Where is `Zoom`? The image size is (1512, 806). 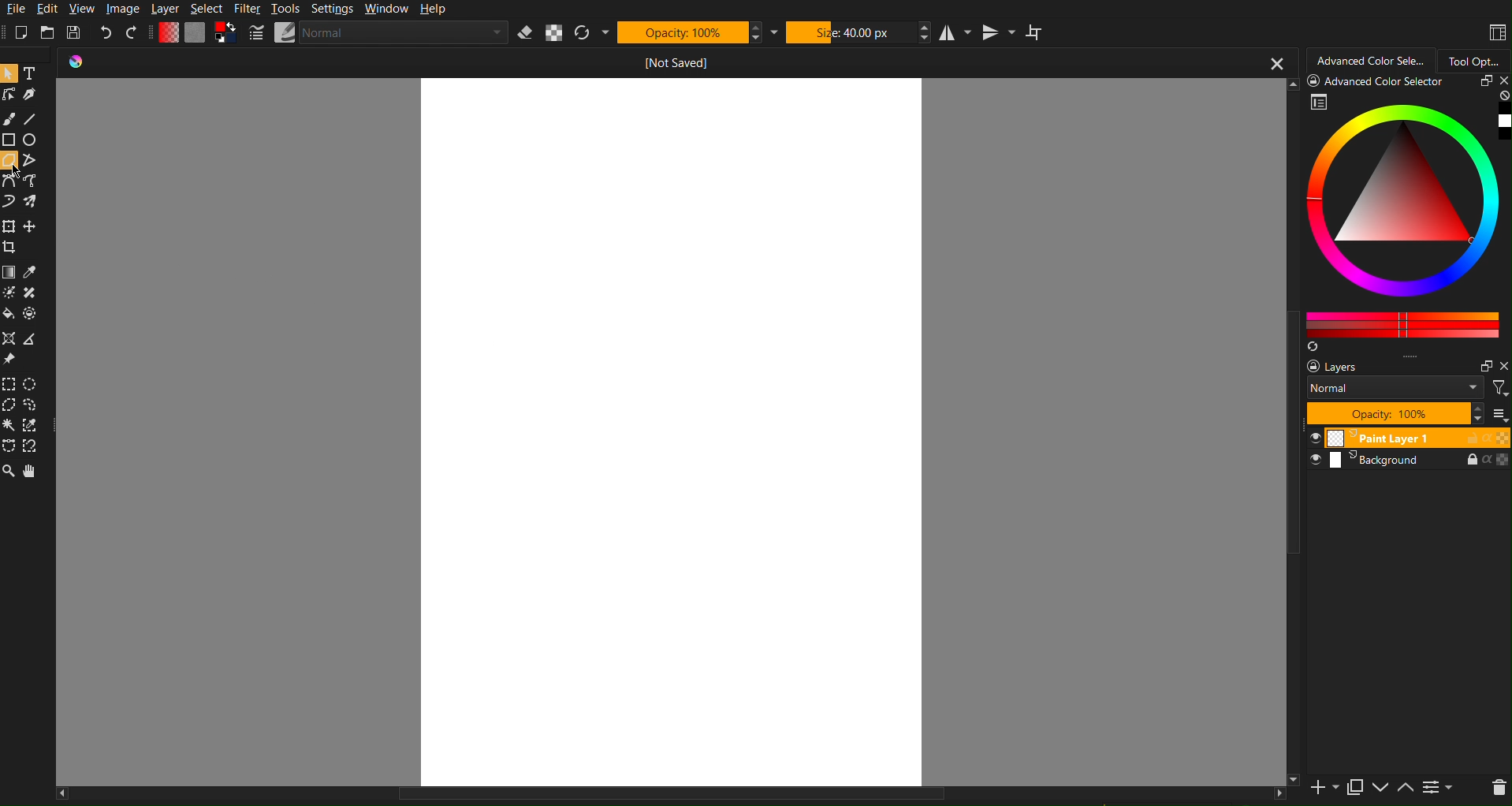 Zoom is located at coordinates (9, 470).